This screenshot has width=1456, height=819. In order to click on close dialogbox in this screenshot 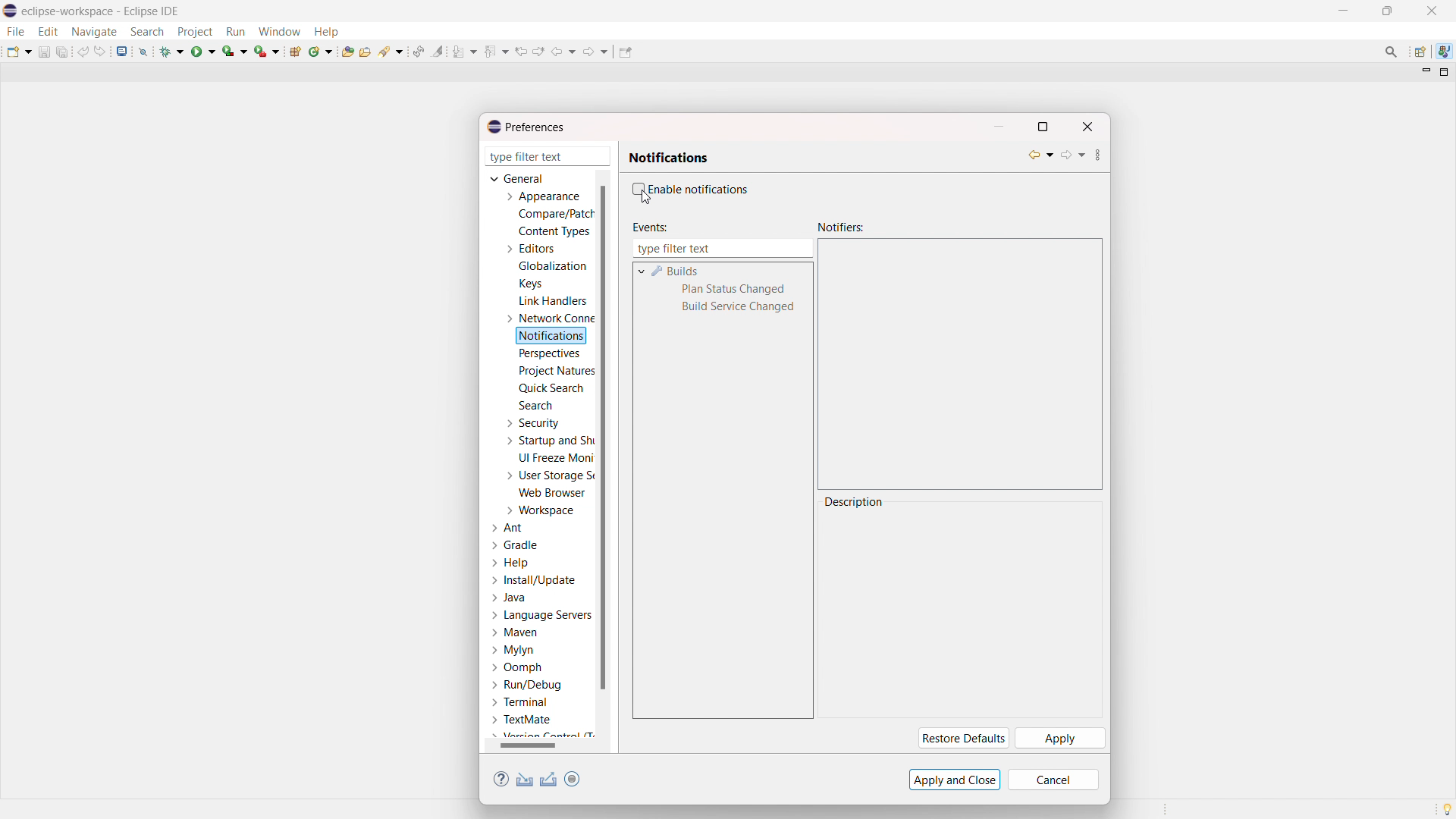, I will do `click(1087, 127)`.